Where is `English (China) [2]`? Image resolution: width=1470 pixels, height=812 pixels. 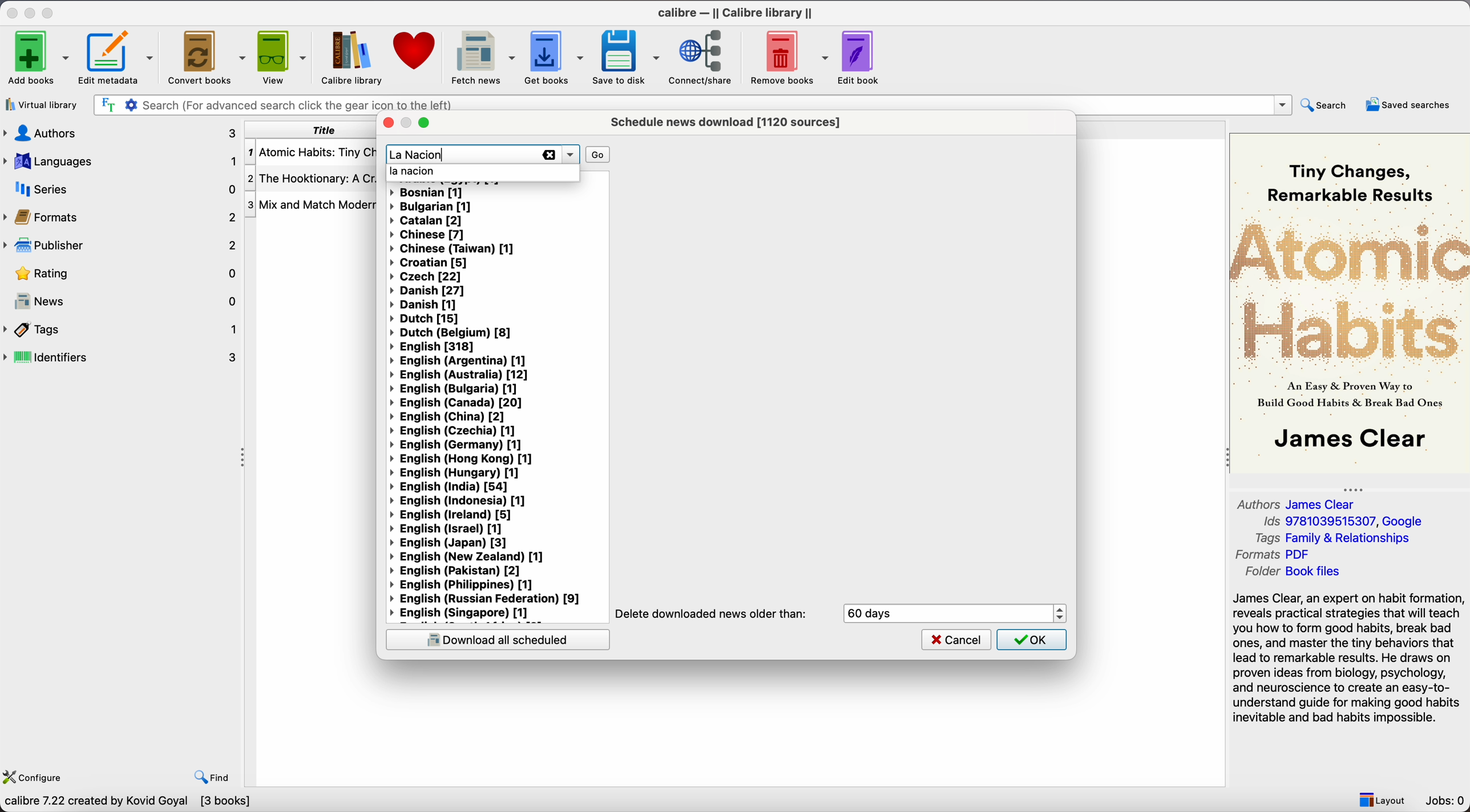 English (China) [2] is located at coordinates (447, 417).